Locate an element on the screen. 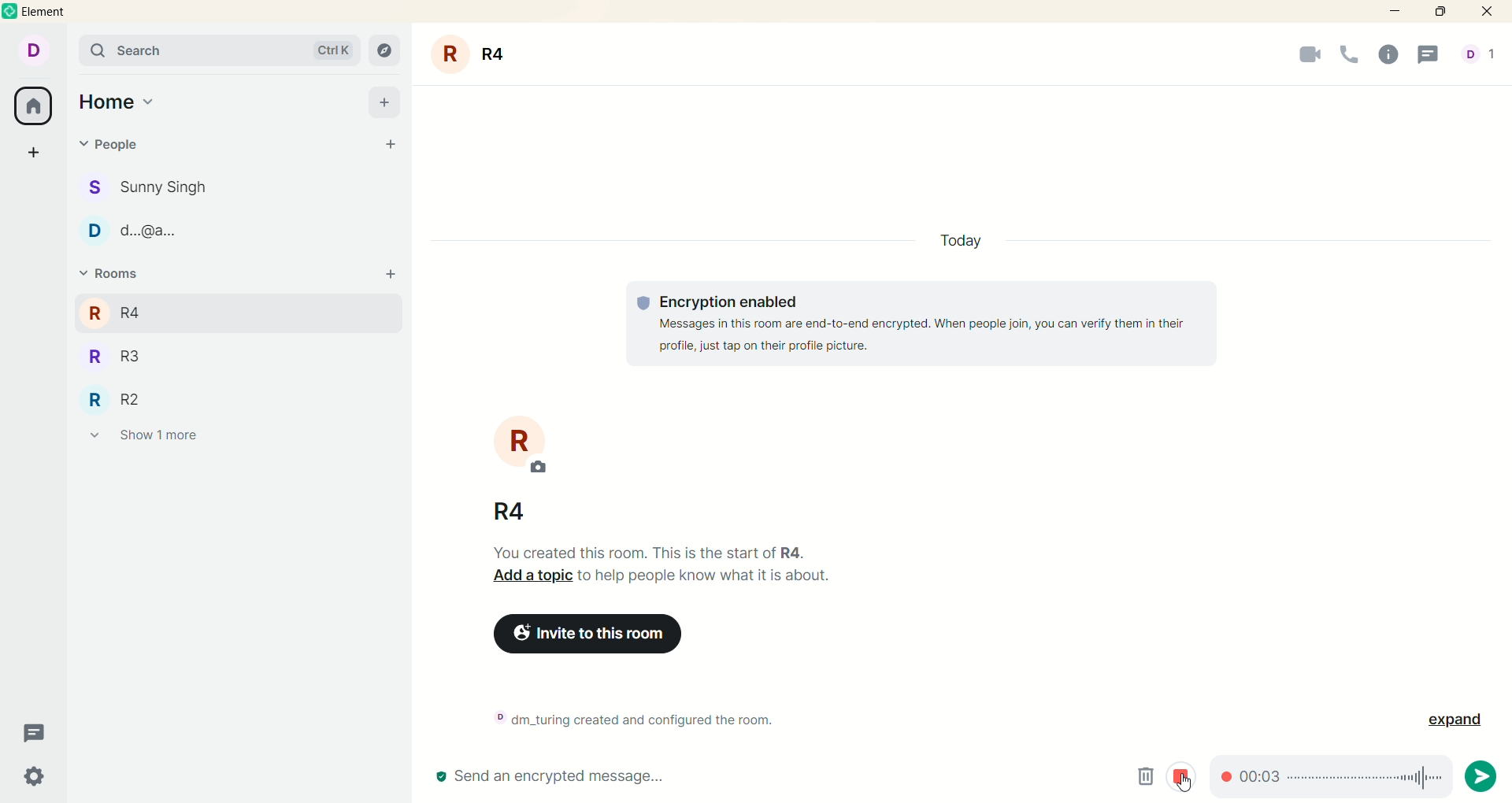 The image size is (1512, 803). text is located at coordinates (923, 324).